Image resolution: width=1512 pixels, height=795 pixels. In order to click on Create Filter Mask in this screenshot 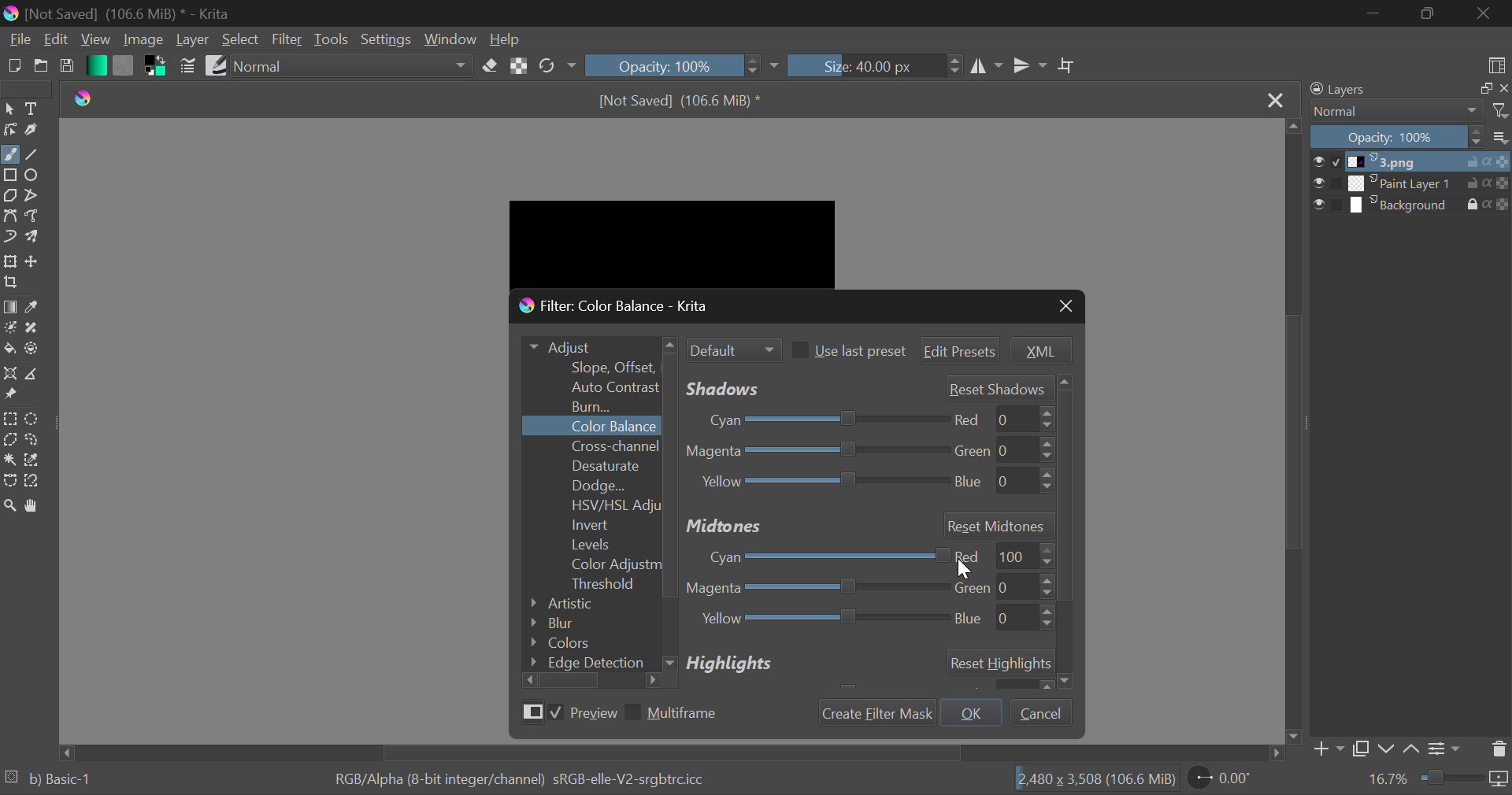, I will do `click(879, 712)`.